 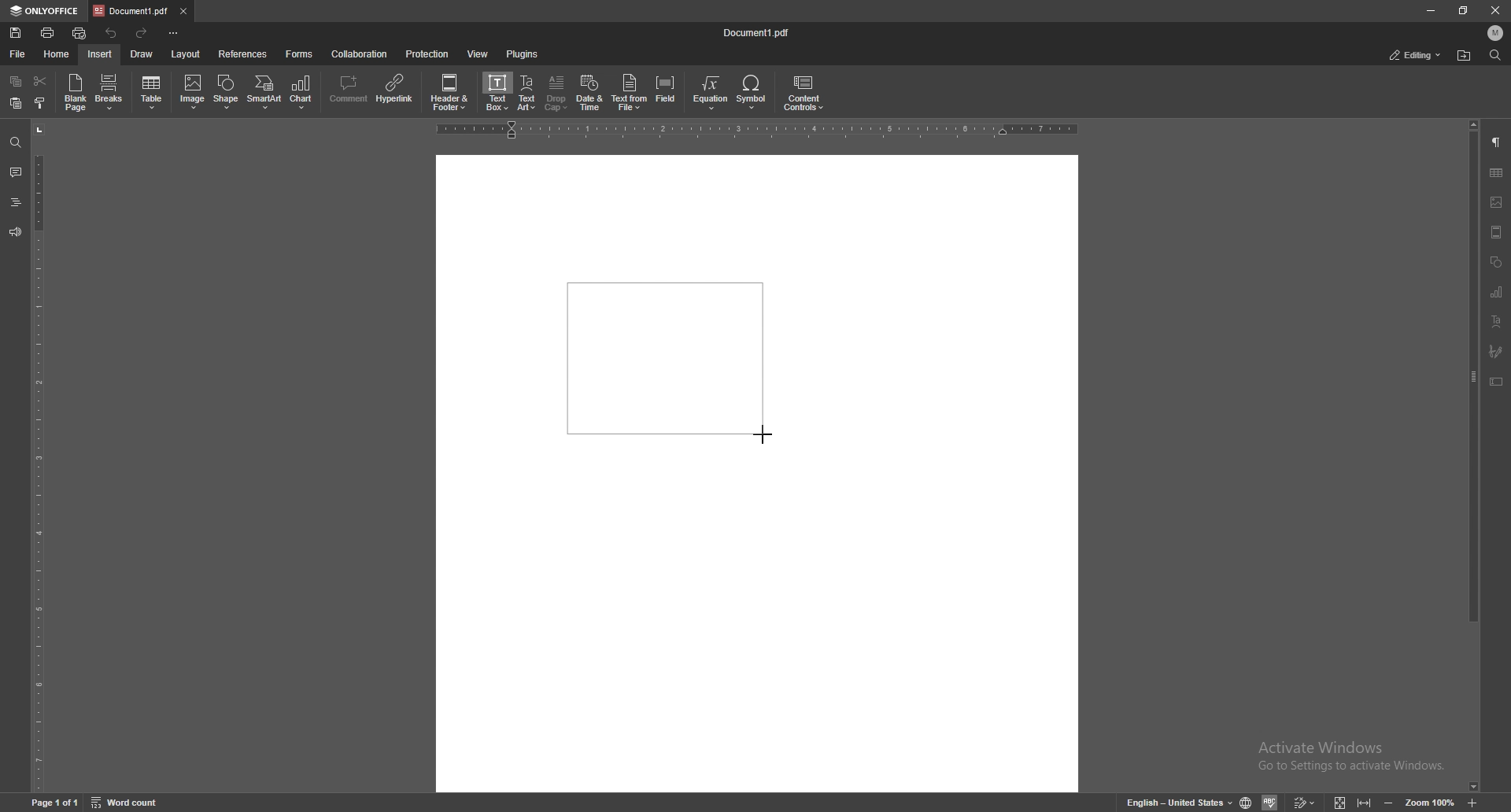 What do you see at coordinates (100, 54) in the screenshot?
I see `insert` at bounding box center [100, 54].